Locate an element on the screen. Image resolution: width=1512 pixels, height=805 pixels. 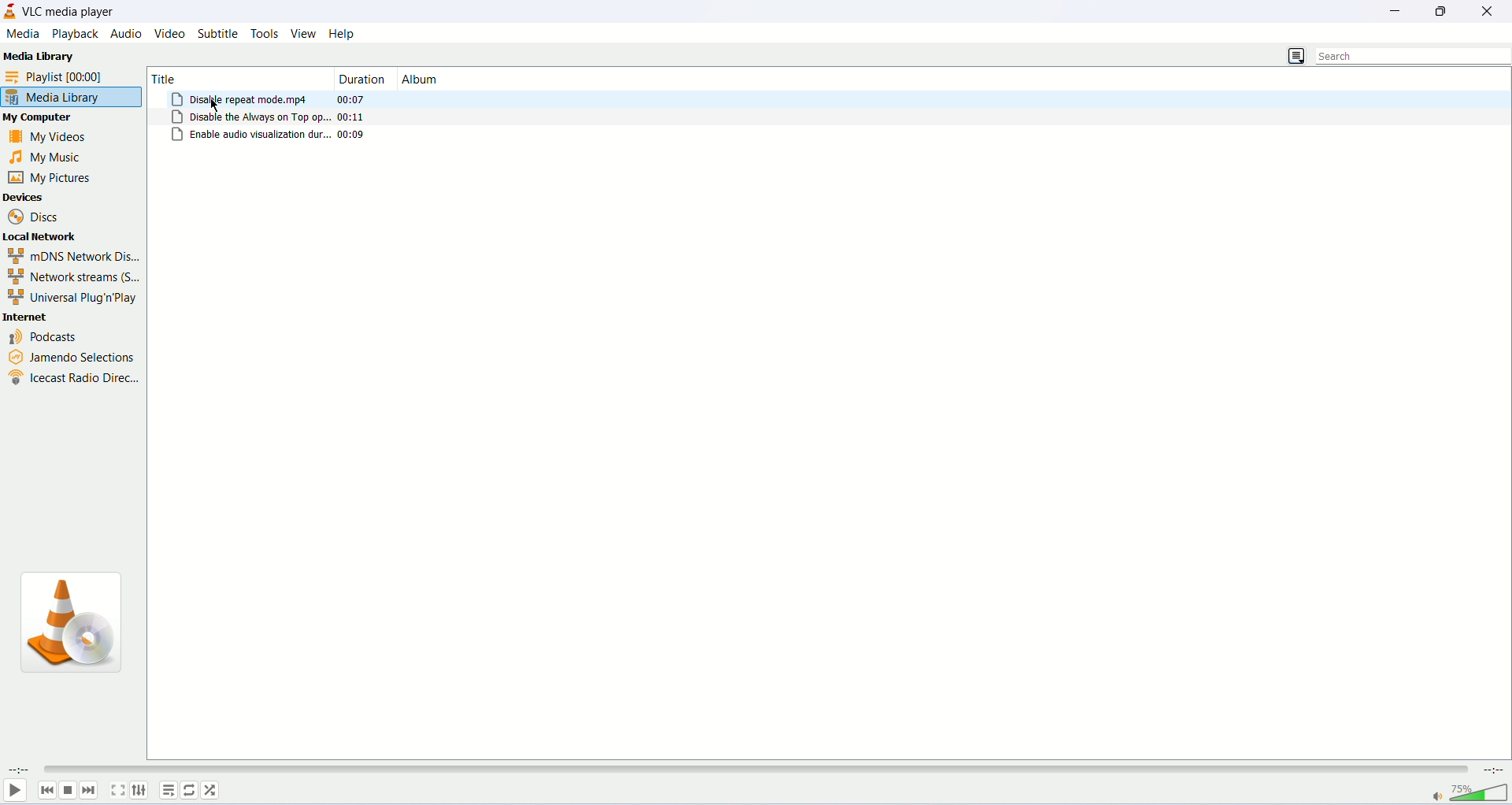
maximize is located at coordinates (1445, 11).